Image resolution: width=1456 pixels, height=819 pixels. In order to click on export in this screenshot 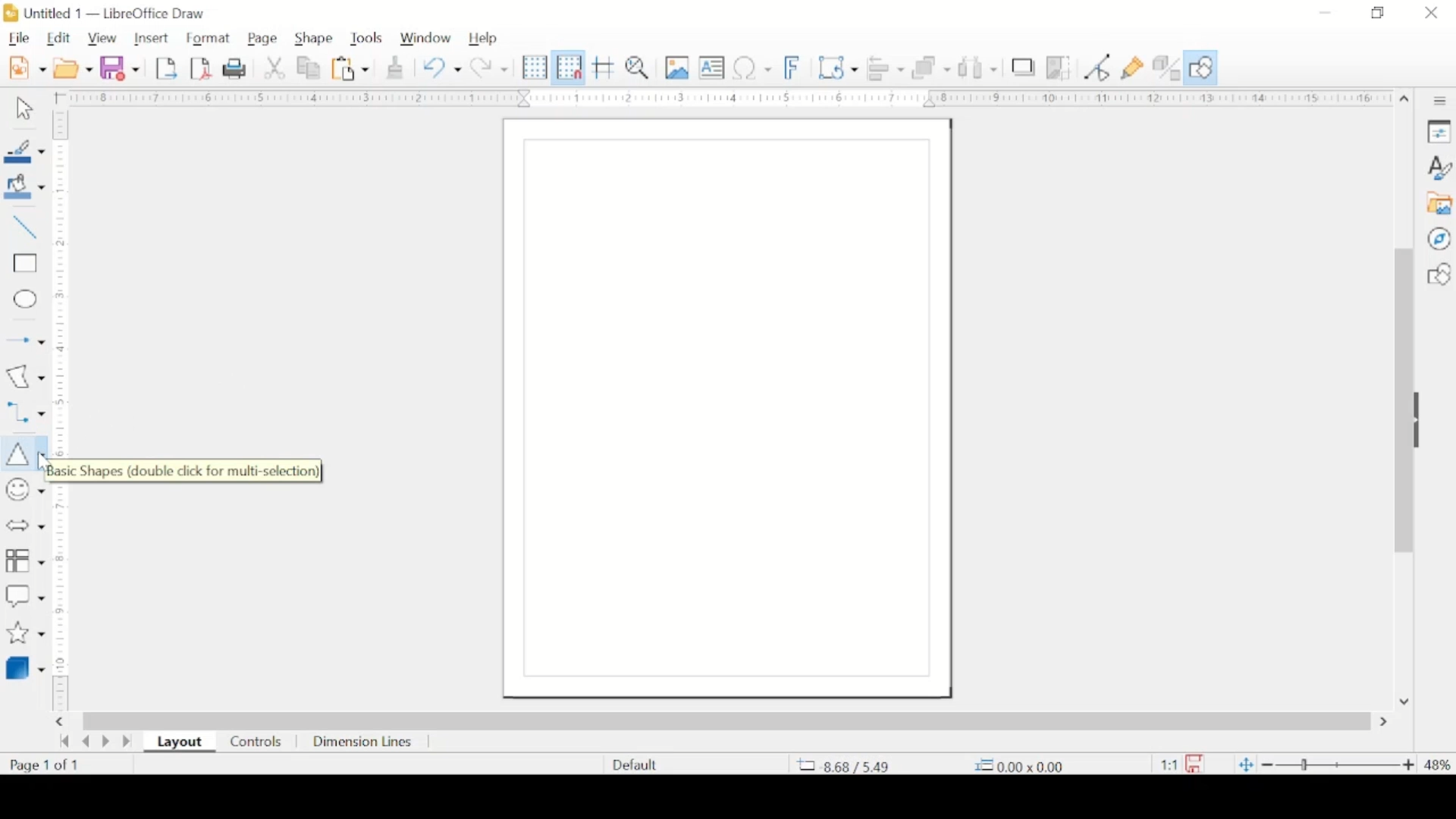, I will do `click(166, 68)`.